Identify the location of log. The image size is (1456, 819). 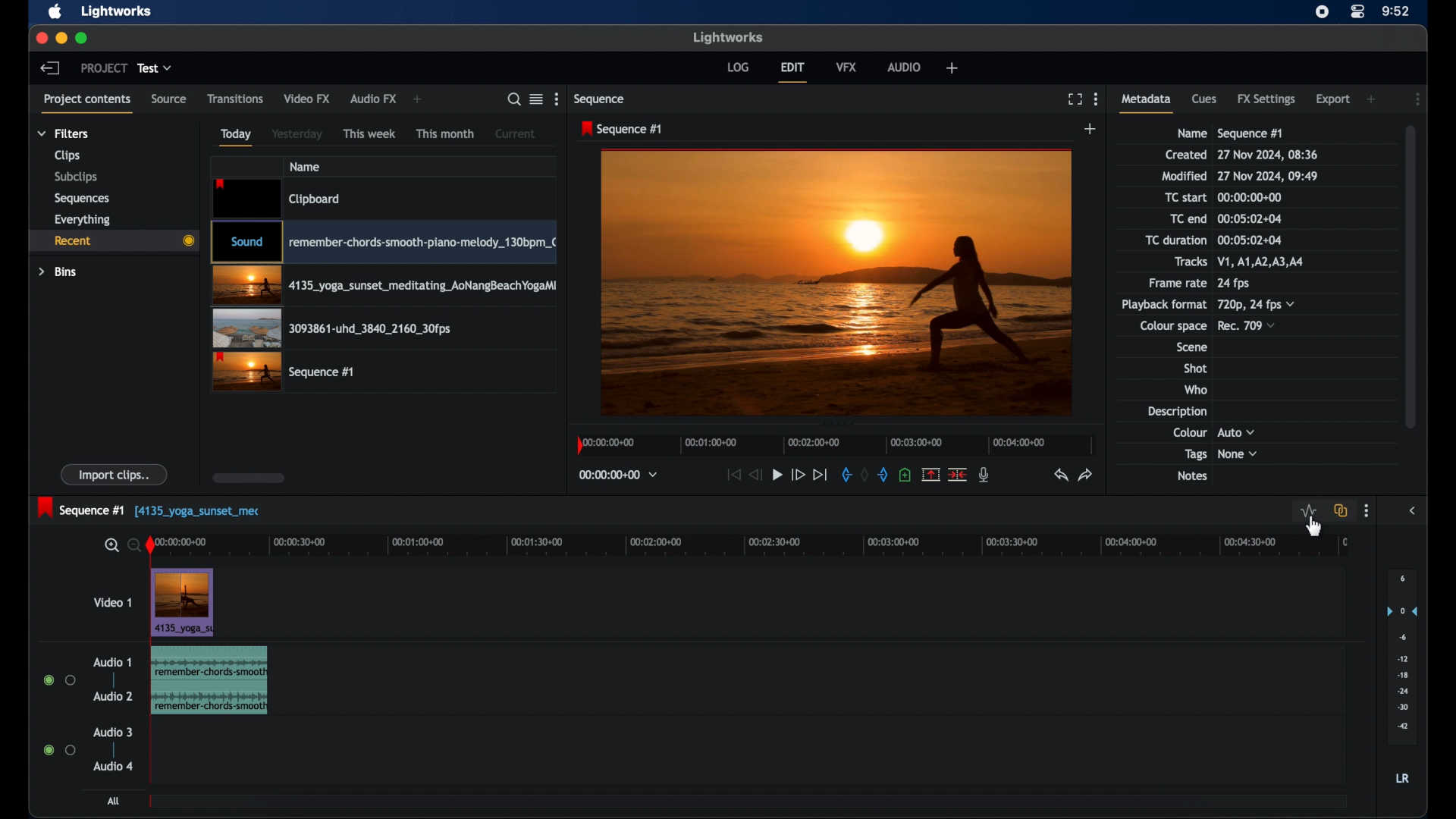
(738, 67).